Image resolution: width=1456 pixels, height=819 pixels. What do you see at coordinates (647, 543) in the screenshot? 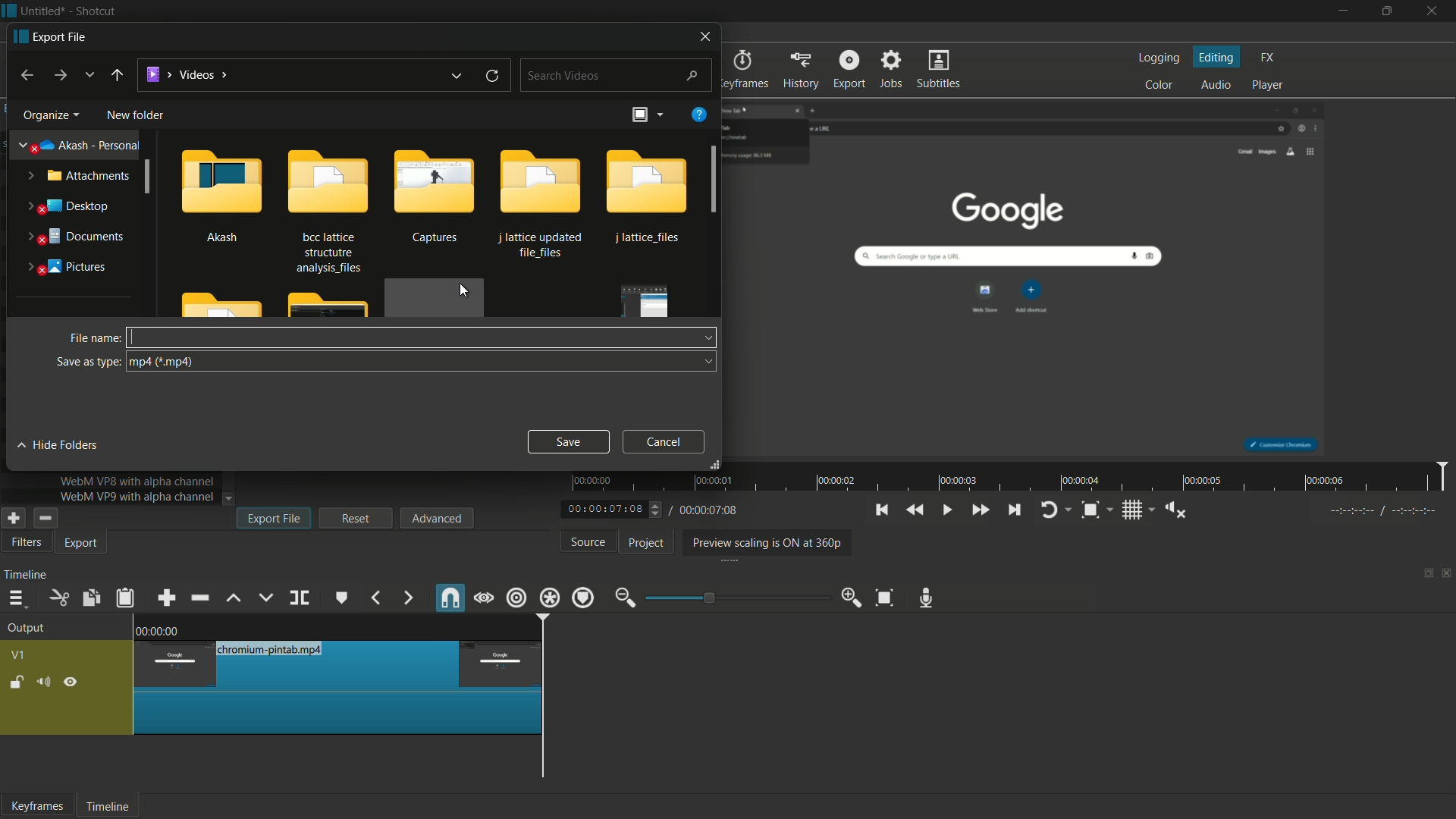
I see `project` at bounding box center [647, 543].